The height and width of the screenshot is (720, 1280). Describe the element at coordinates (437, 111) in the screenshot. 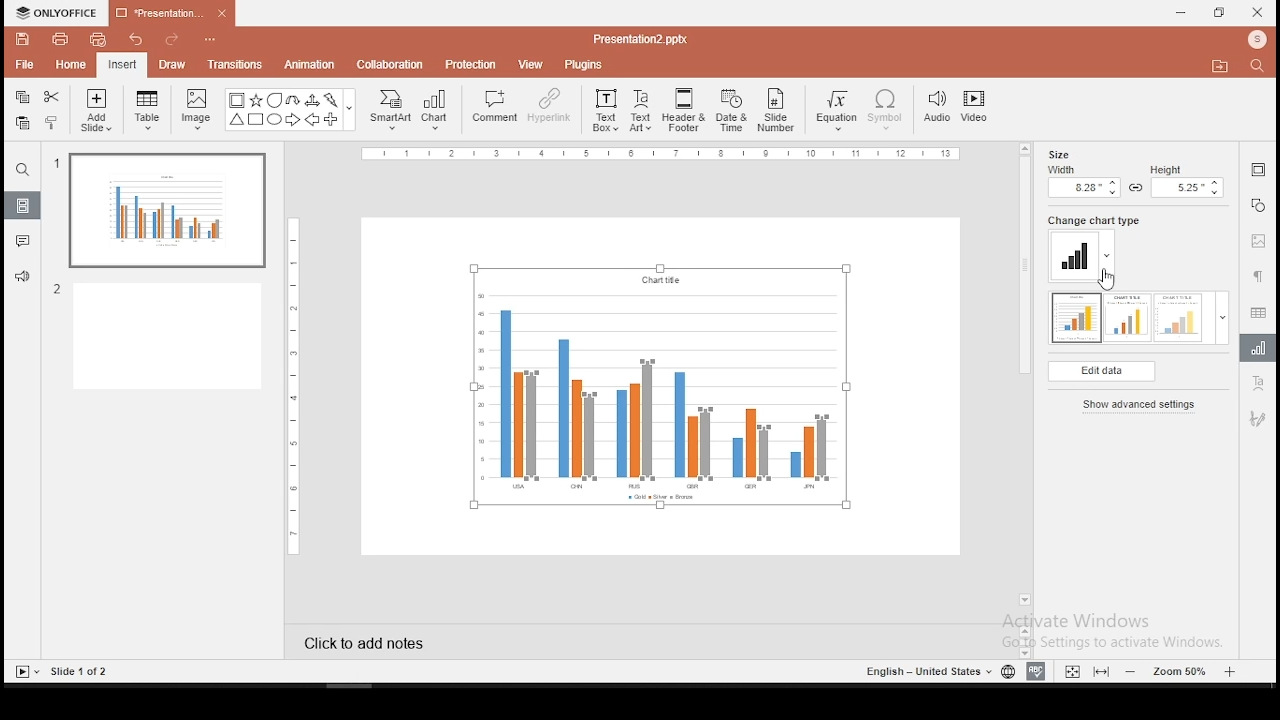

I see `chart` at that location.